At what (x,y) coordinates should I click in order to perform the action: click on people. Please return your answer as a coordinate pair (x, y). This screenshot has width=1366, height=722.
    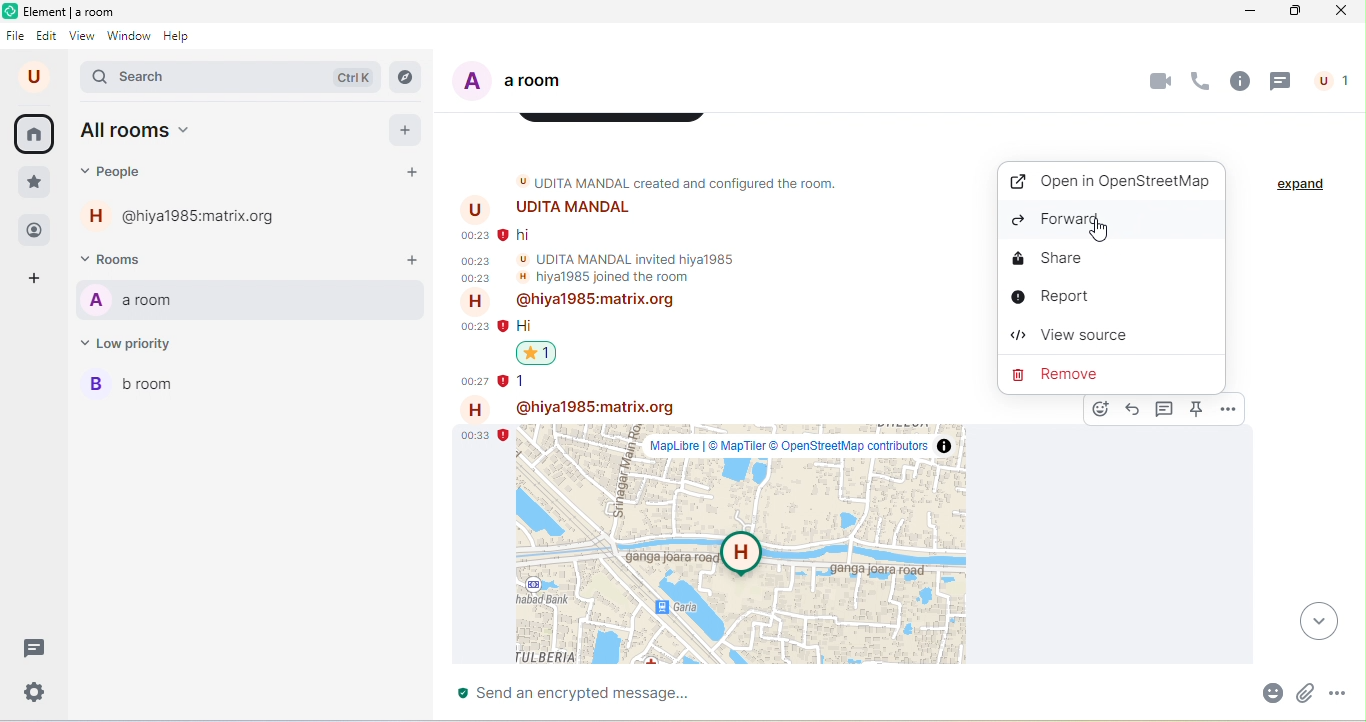
    Looking at the image, I should click on (1329, 81).